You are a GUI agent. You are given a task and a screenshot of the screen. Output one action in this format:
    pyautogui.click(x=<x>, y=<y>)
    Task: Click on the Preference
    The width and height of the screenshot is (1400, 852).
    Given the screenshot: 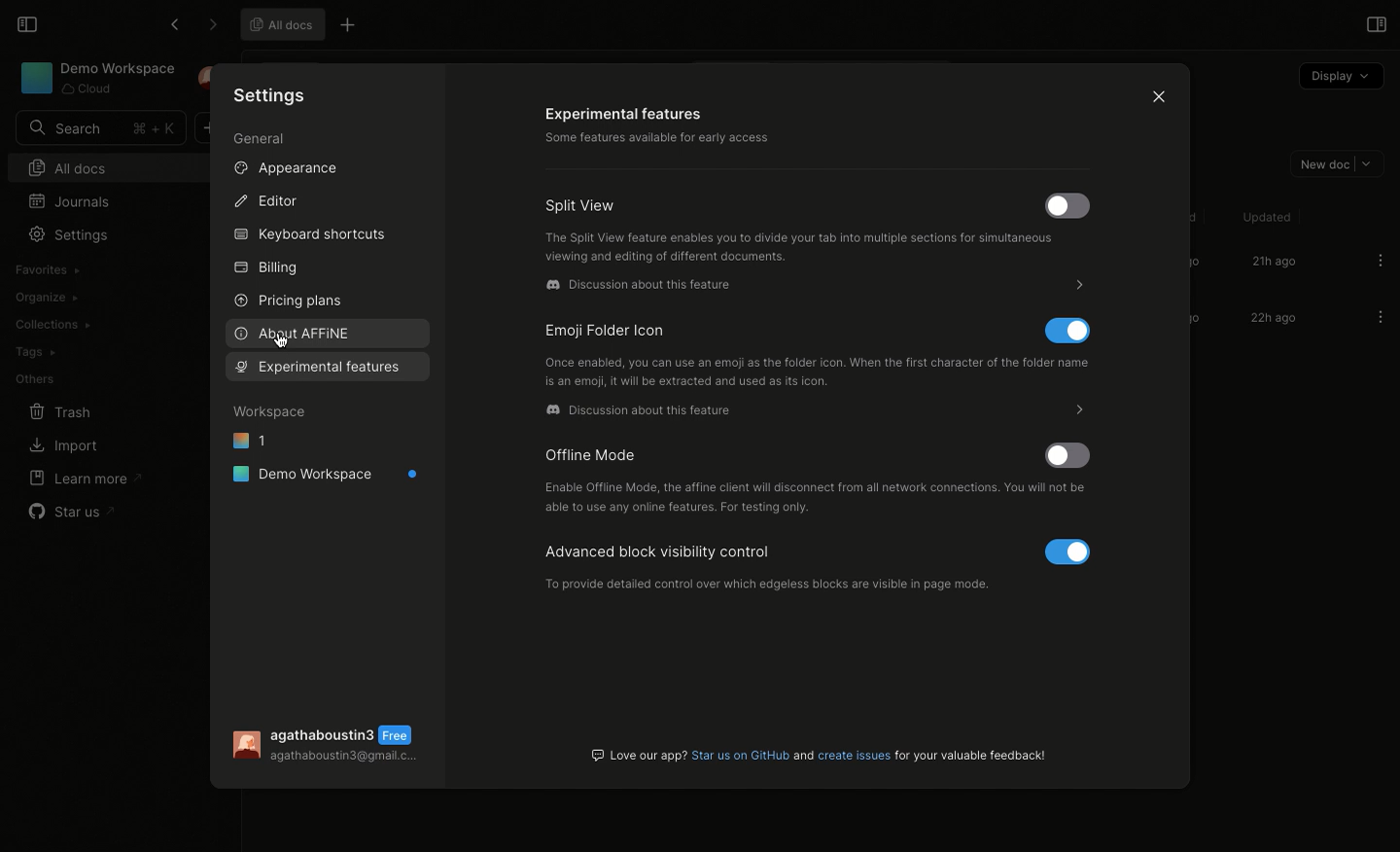 What is the action you would take?
    pyautogui.click(x=295, y=507)
    